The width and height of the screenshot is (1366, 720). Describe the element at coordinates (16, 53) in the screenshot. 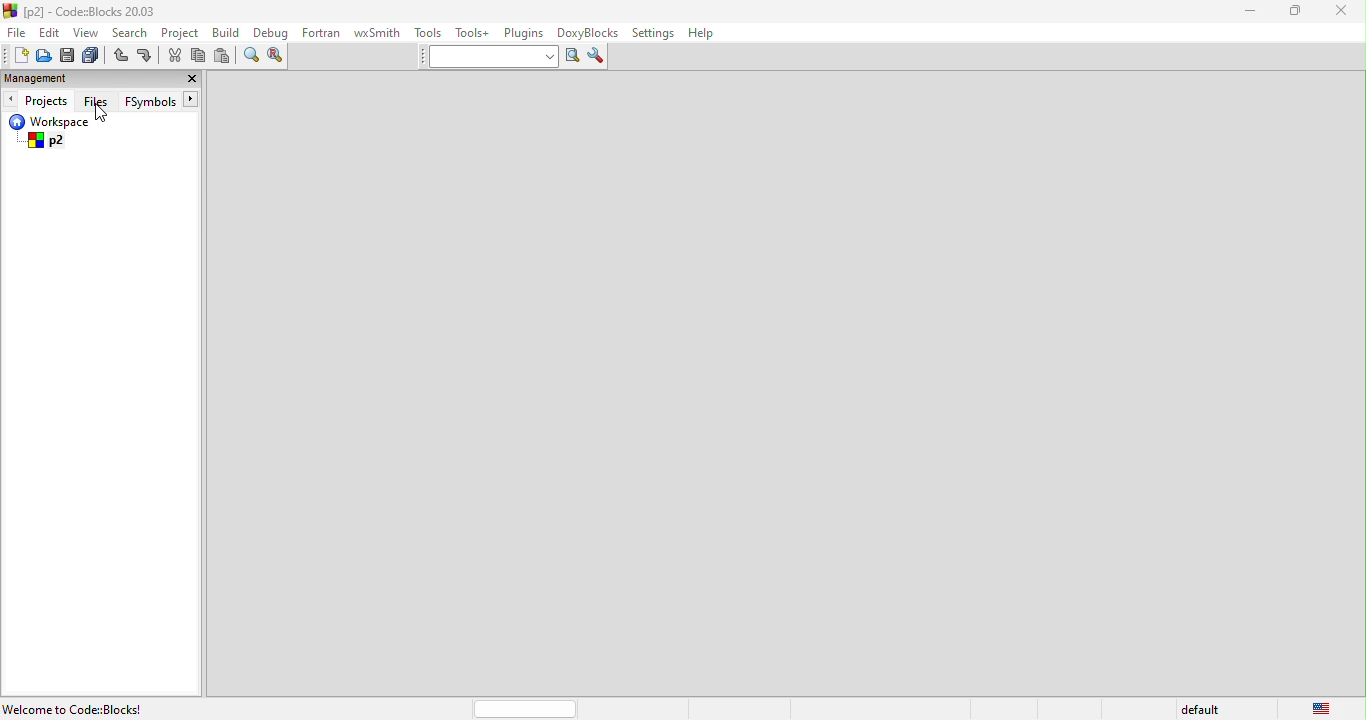

I see `new` at that location.